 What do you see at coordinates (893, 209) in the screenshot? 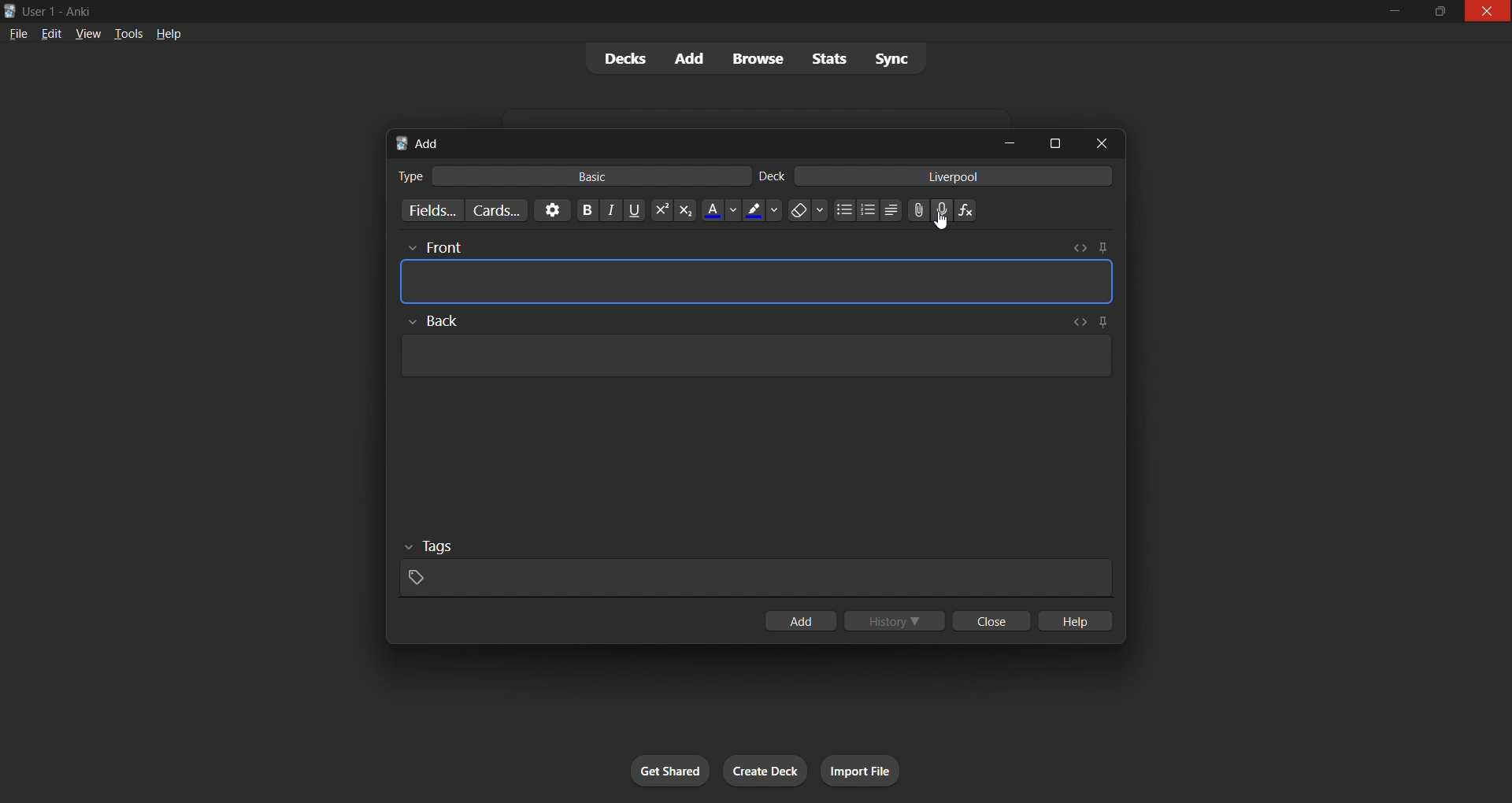
I see `alignment` at bounding box center [893, 209].